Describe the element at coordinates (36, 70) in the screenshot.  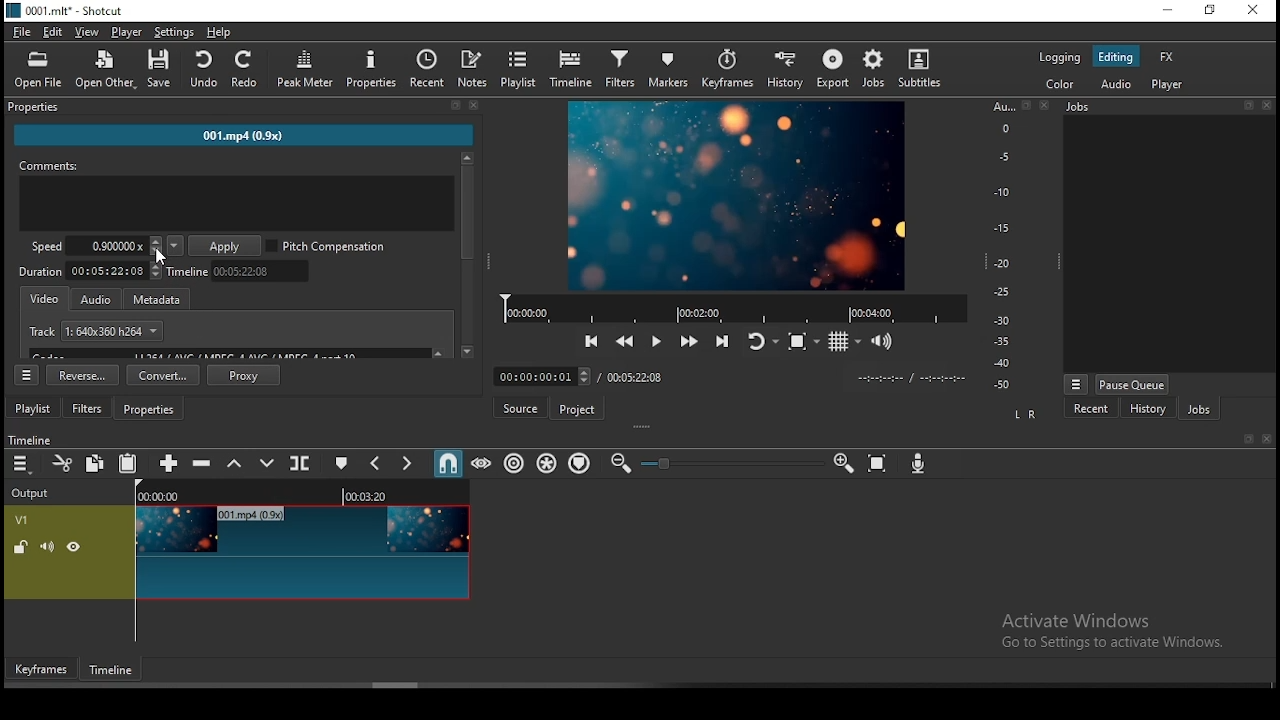
I see `Open file` at that location.